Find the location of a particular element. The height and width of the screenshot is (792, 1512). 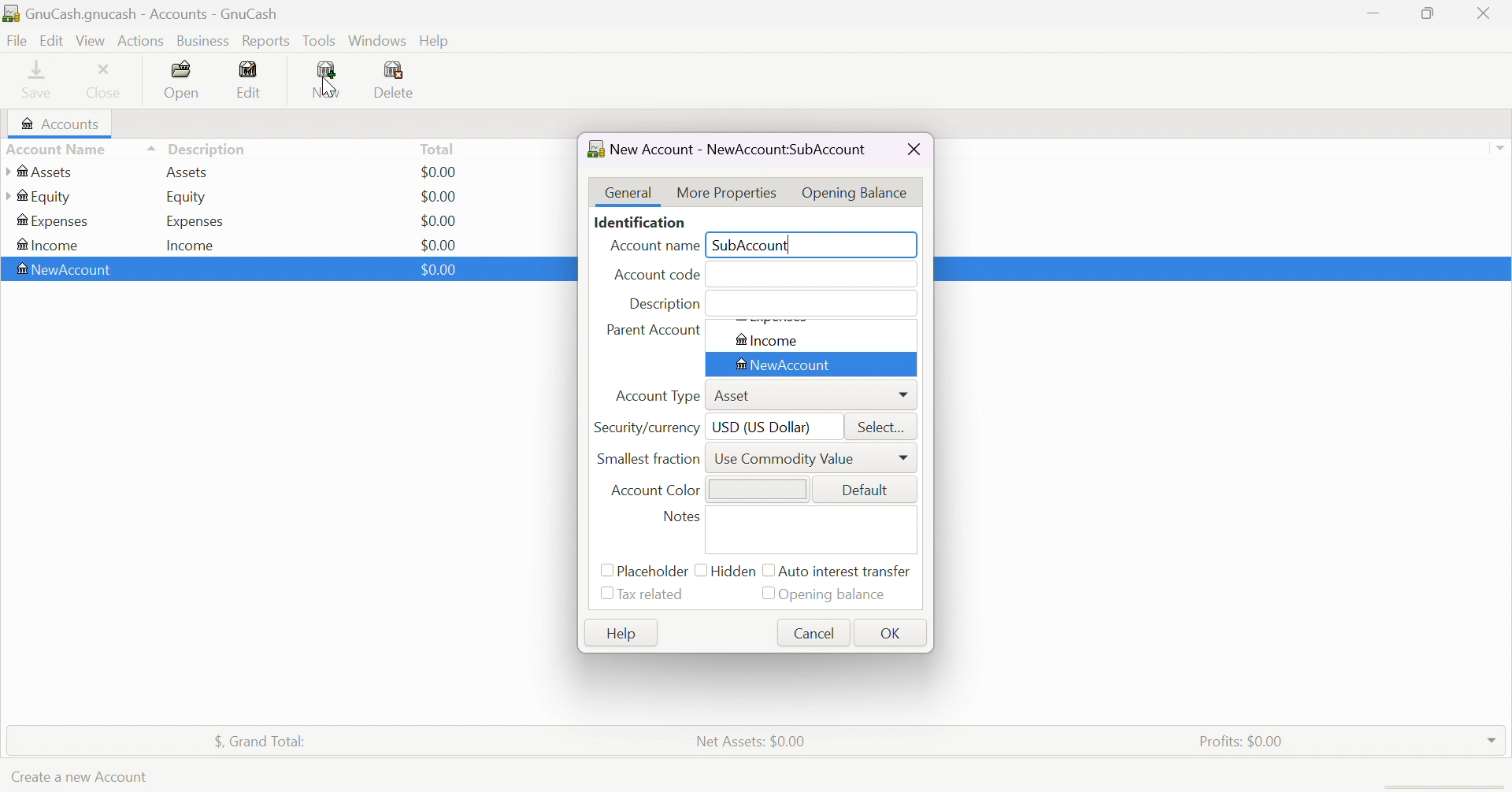

New Account is located at coordinates (65, 270).